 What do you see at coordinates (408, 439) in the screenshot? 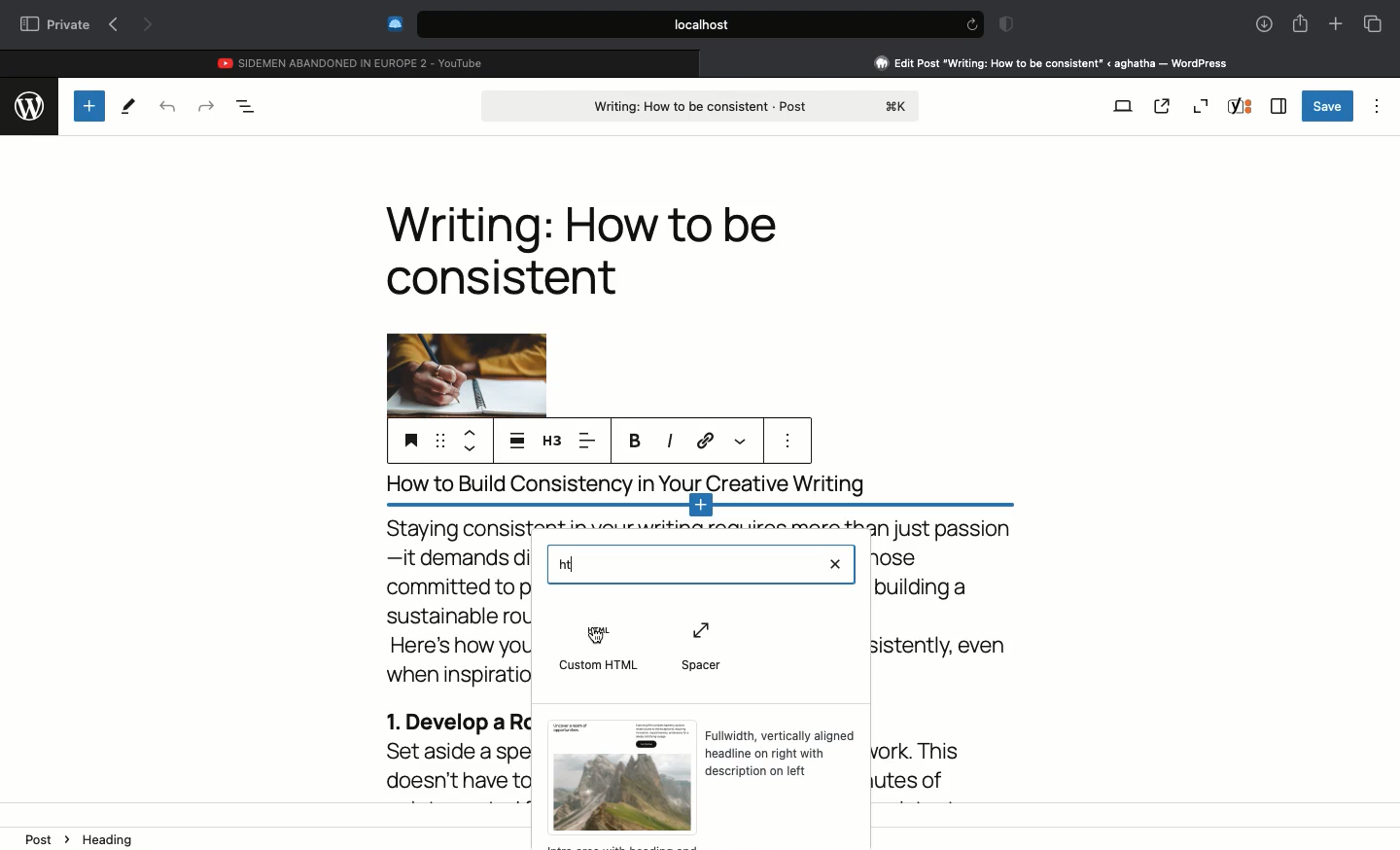
I see `Heading` at bounding box center [408, 439].